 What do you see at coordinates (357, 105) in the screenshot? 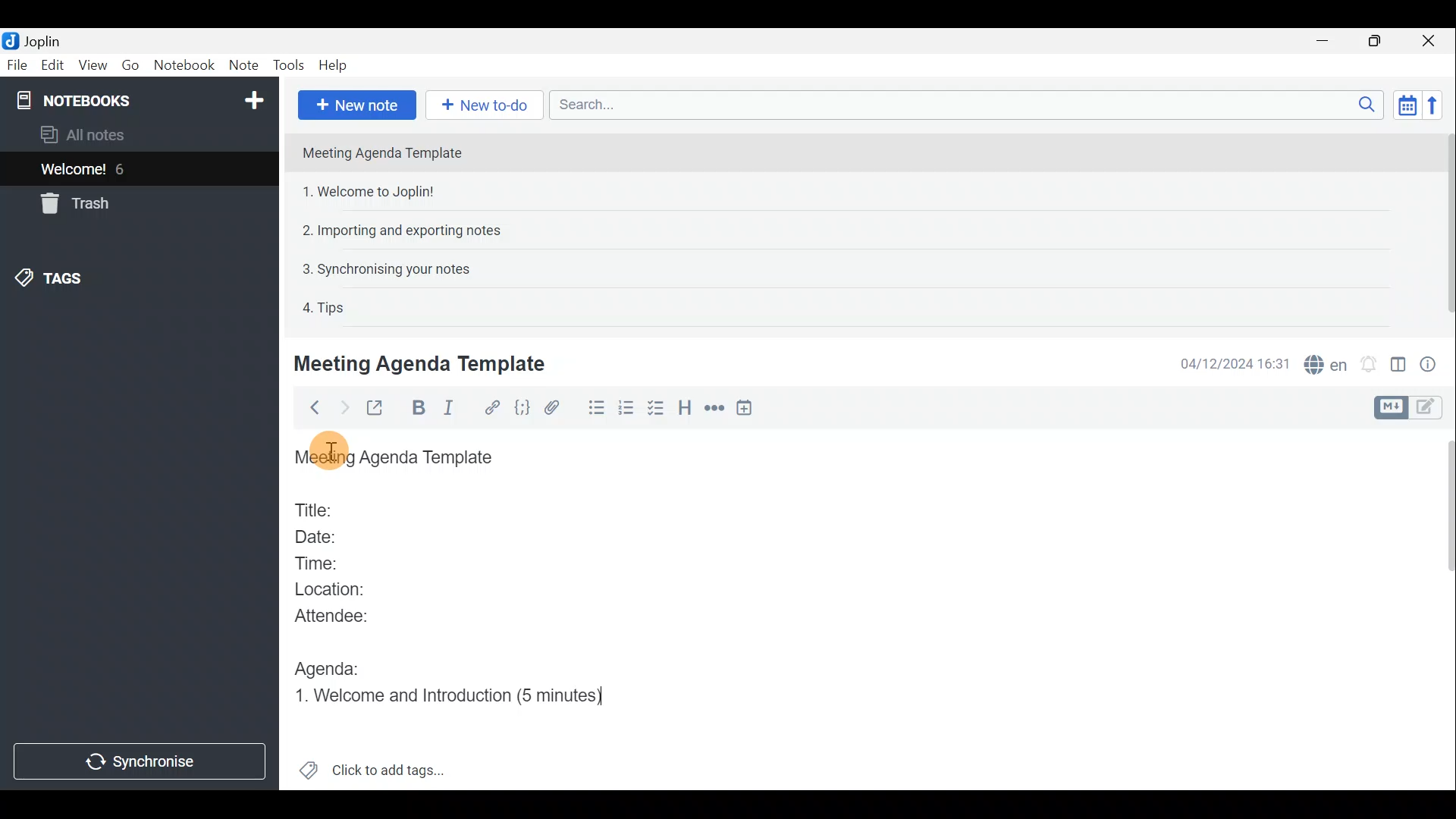
I see `New note` at bounding box center [357, 105].